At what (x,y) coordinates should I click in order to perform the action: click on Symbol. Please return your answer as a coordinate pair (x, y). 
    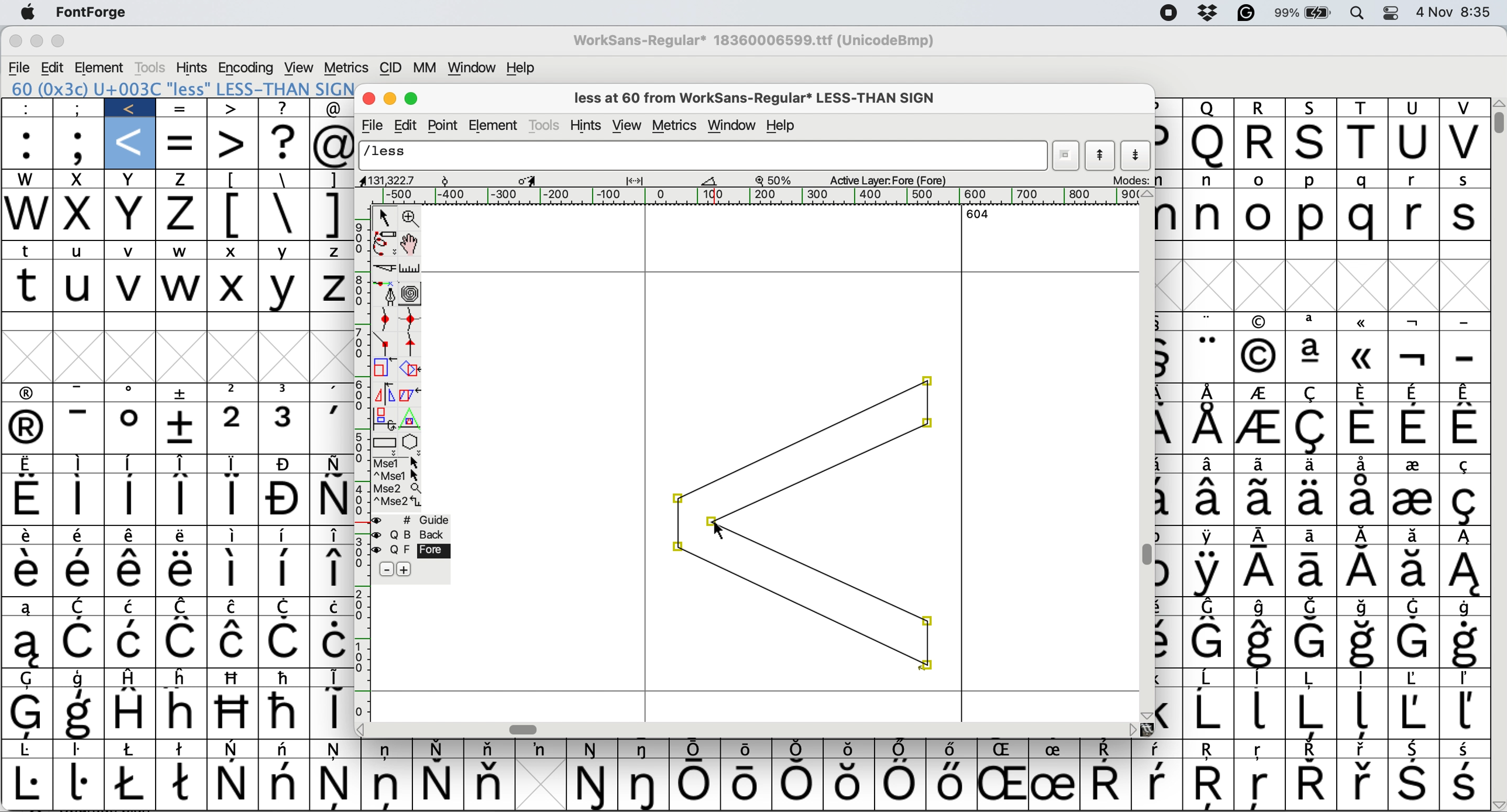
    Looking at the image, I should click on (78, 643).